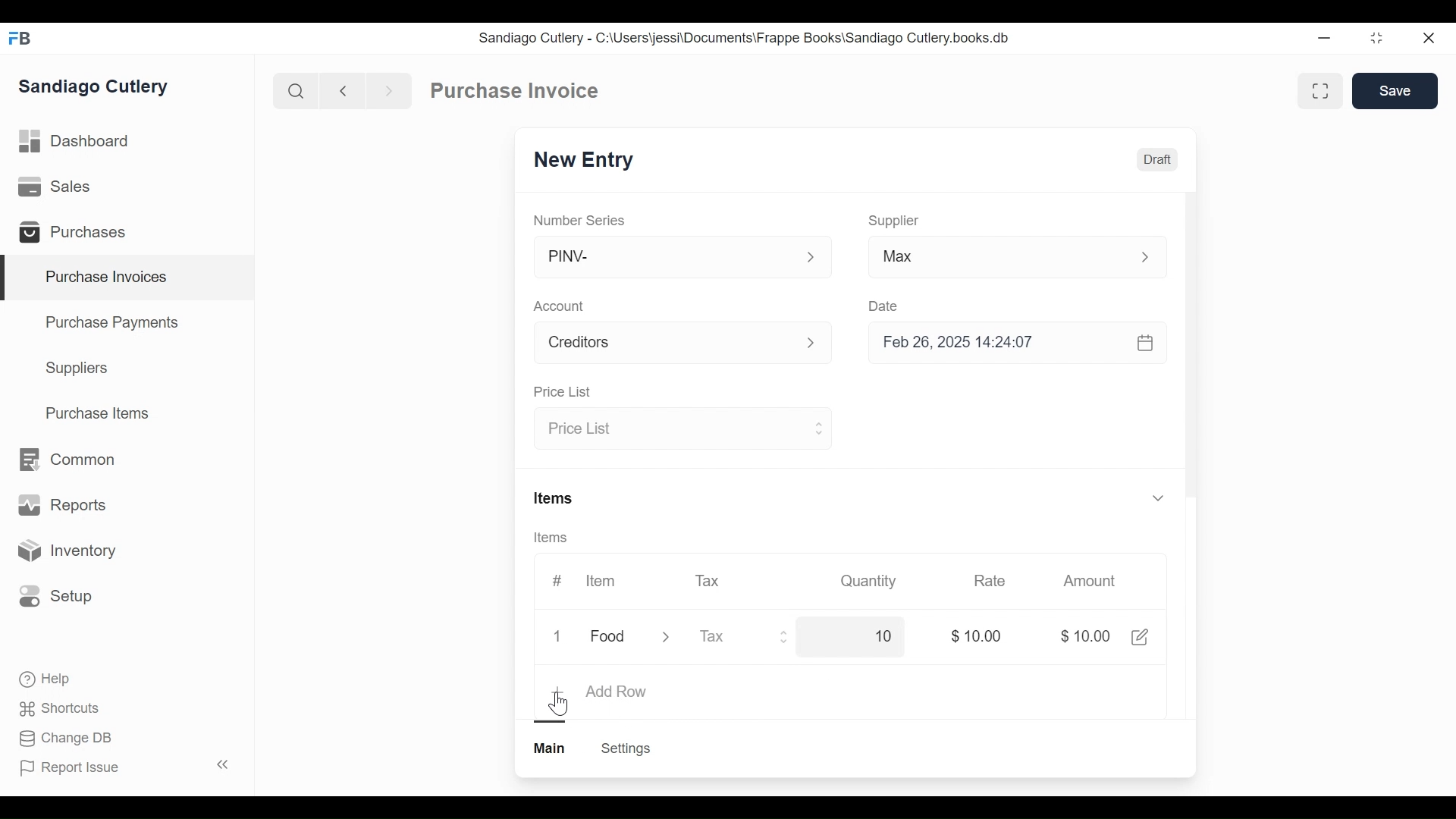 This screenshot has height=819, width=1456. Describe the element at coordinates (68, 739) in the screenshot. I see `Change DB` at that location.